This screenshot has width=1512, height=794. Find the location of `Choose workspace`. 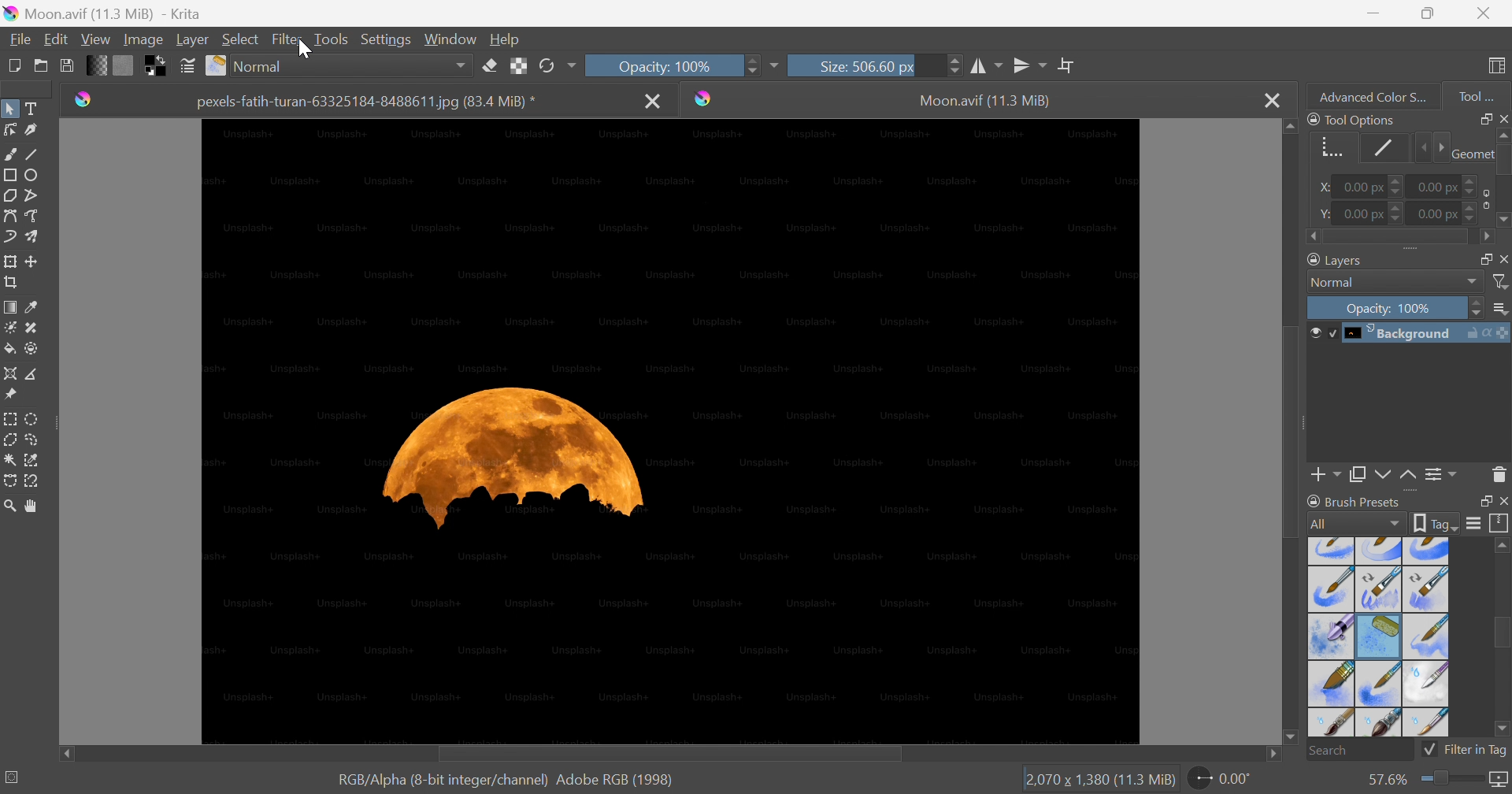

Choose workspace is located at coordinates (1499, 68).